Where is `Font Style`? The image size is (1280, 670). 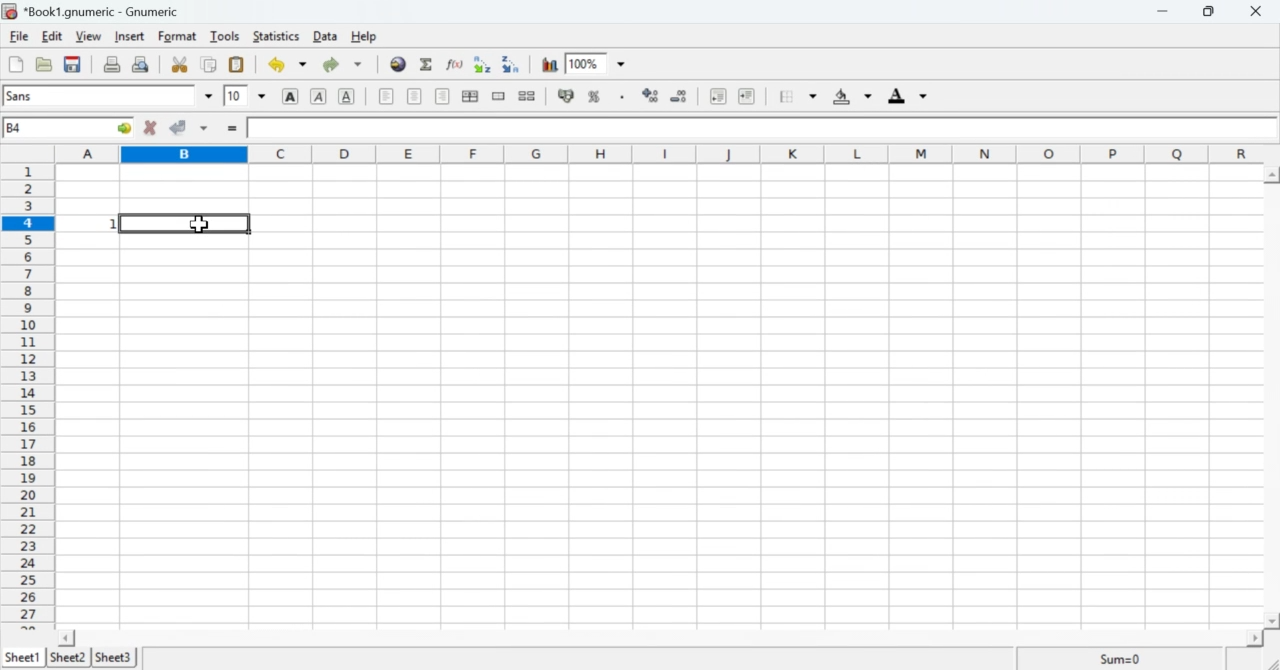 Font Style is located at coordinates (111, 96).